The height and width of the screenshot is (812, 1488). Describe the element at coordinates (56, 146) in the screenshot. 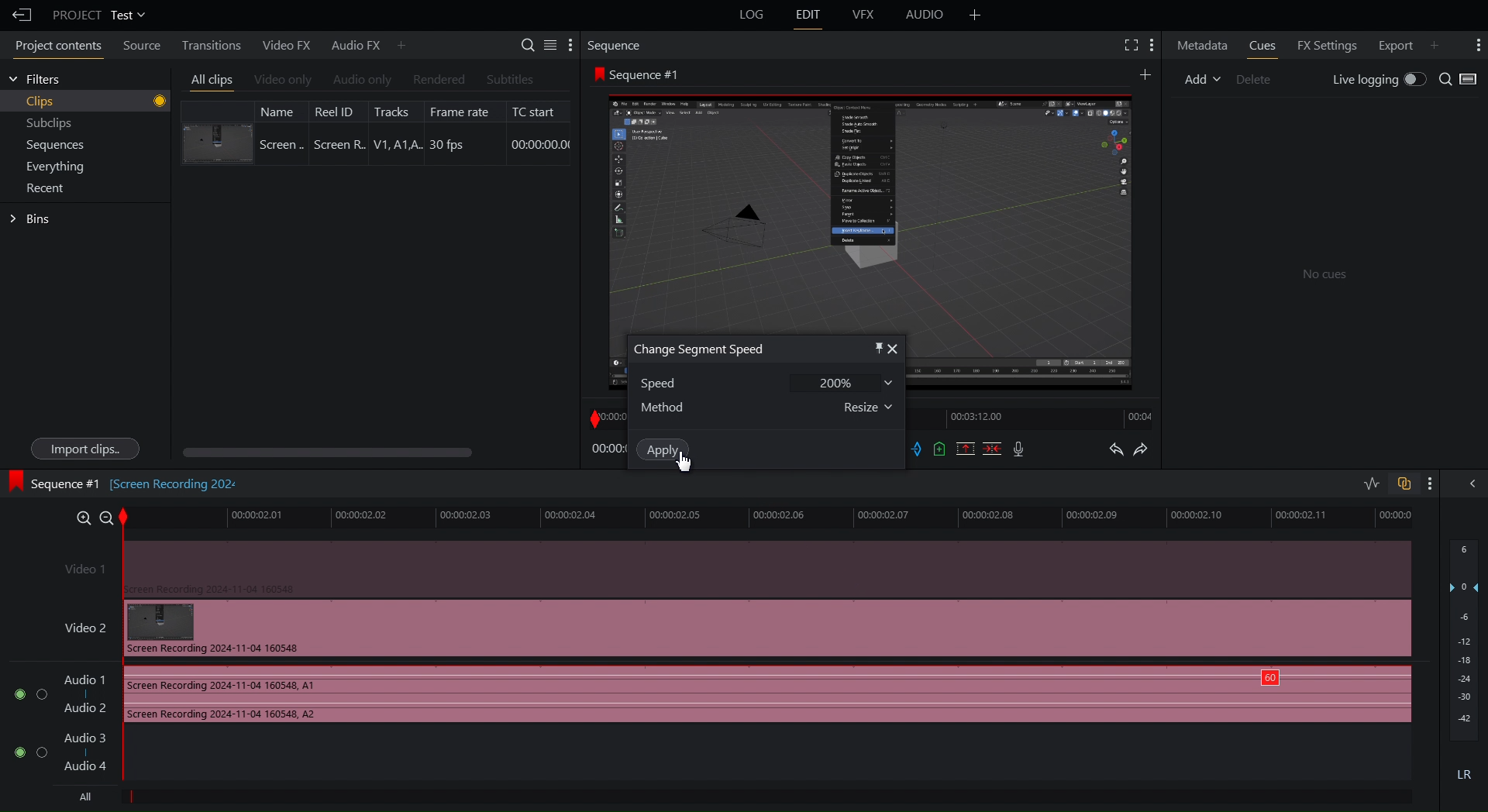

I see `Sequences` at that location.